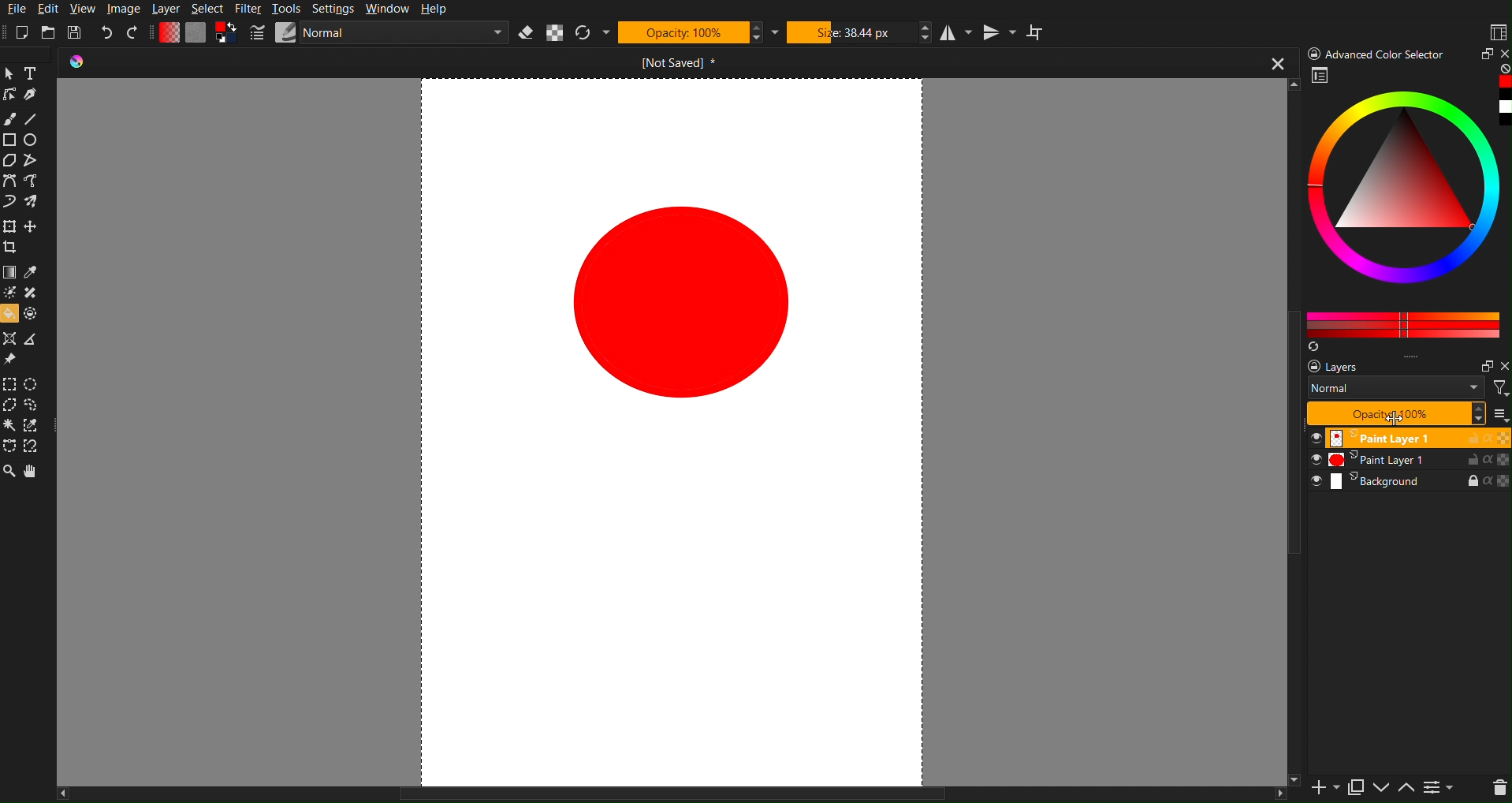 This screenshot has height=803, width=1512. I want to click on Multibrush, so click(32, 202).